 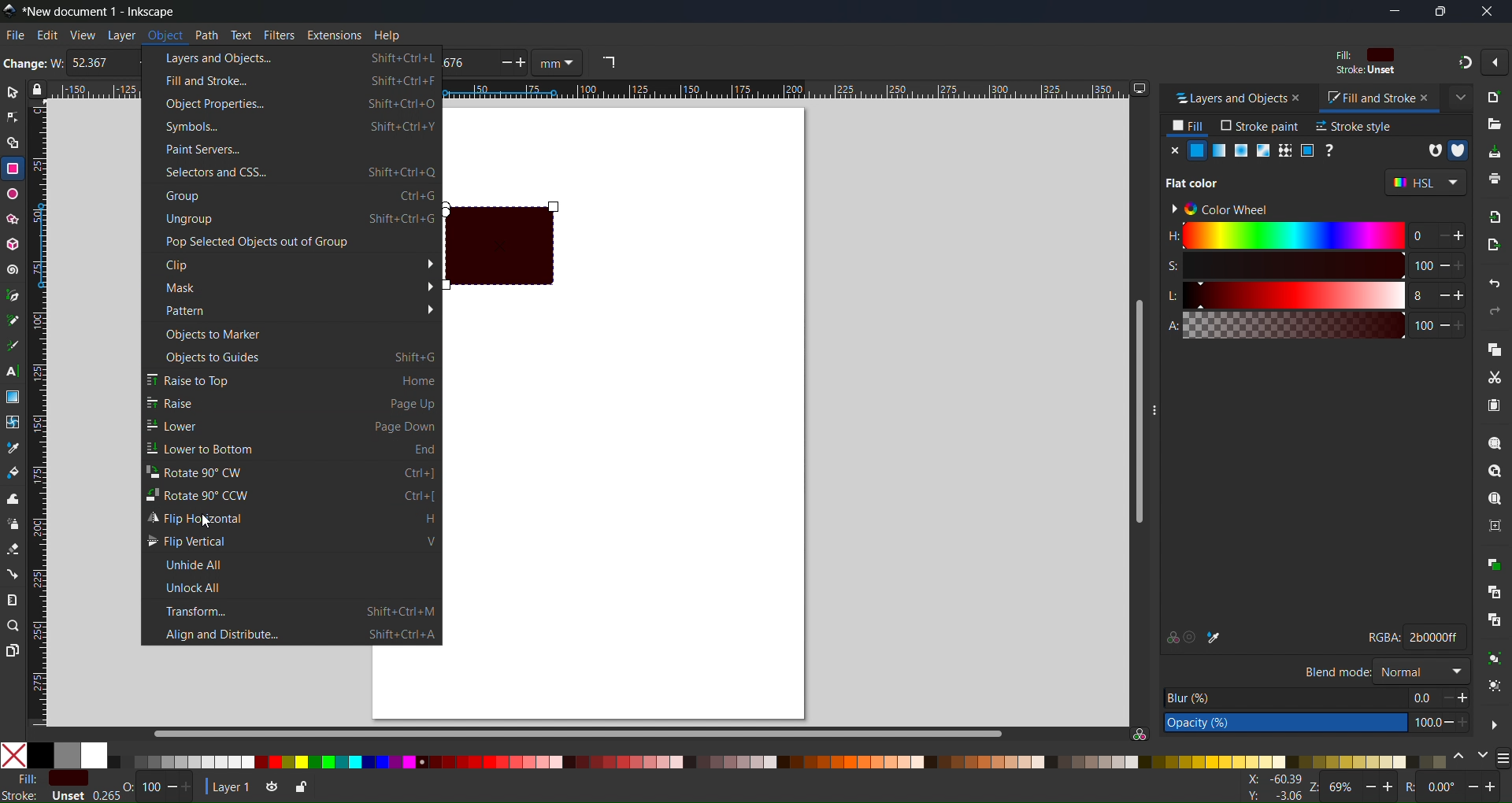 What do you see at coordinates (13, 549) in the screenshot?
I see `Eraser tool` at bounding box center [13, 549].